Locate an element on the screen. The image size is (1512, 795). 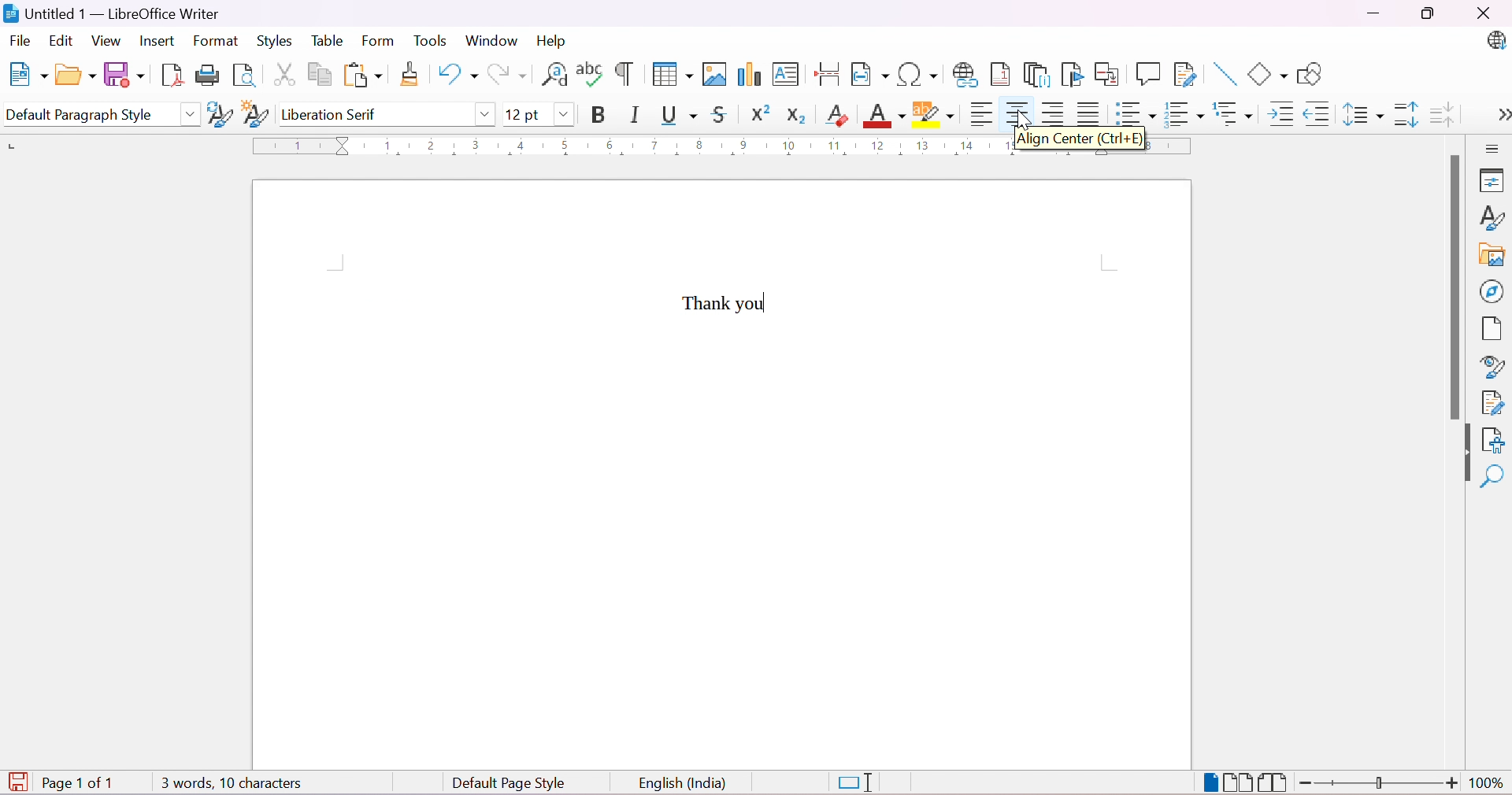
Redo is located at coordinates (507, 74).